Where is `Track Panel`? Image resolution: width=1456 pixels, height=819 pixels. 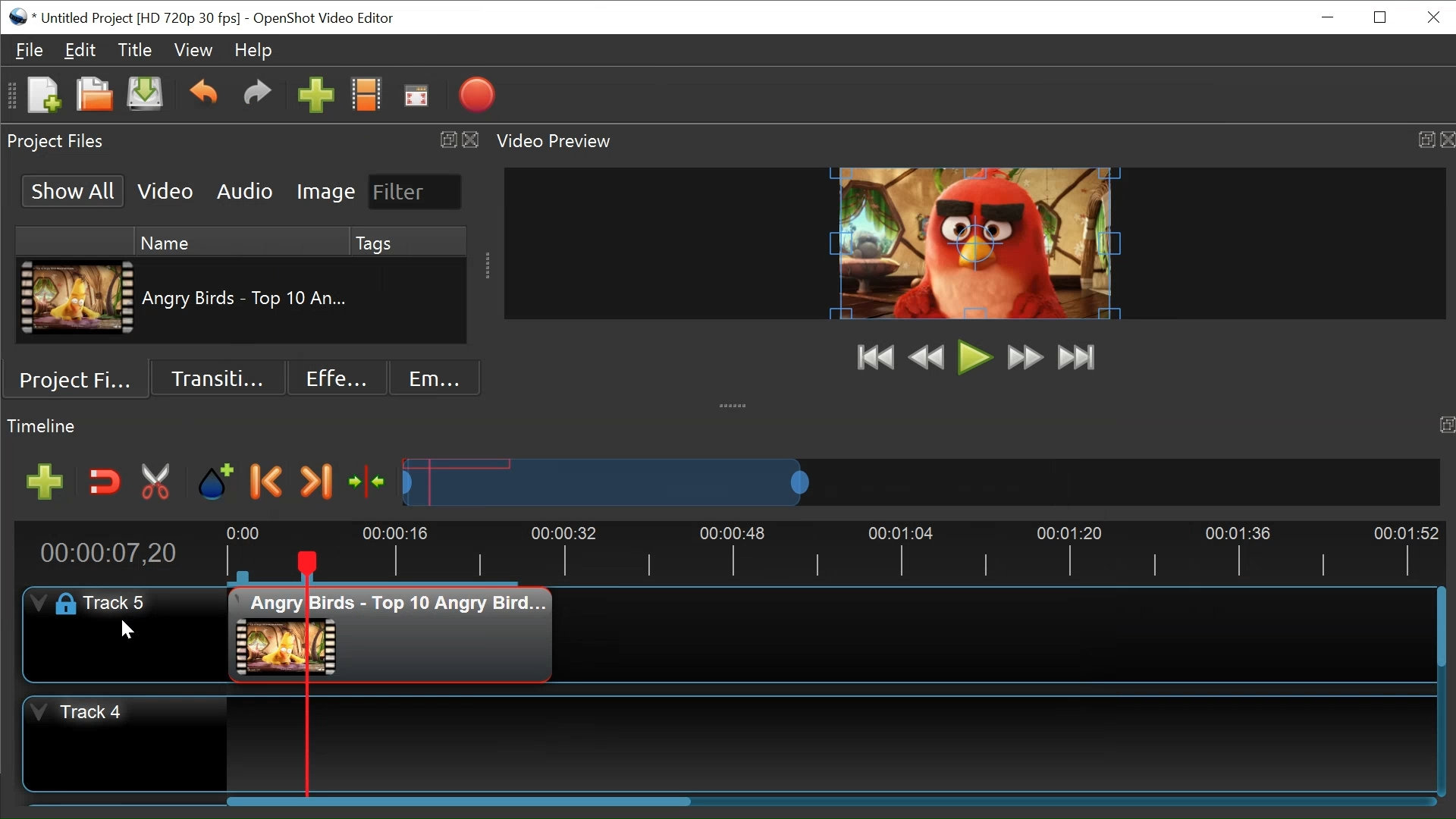 Track Panel is located at coordinates (820, 745).